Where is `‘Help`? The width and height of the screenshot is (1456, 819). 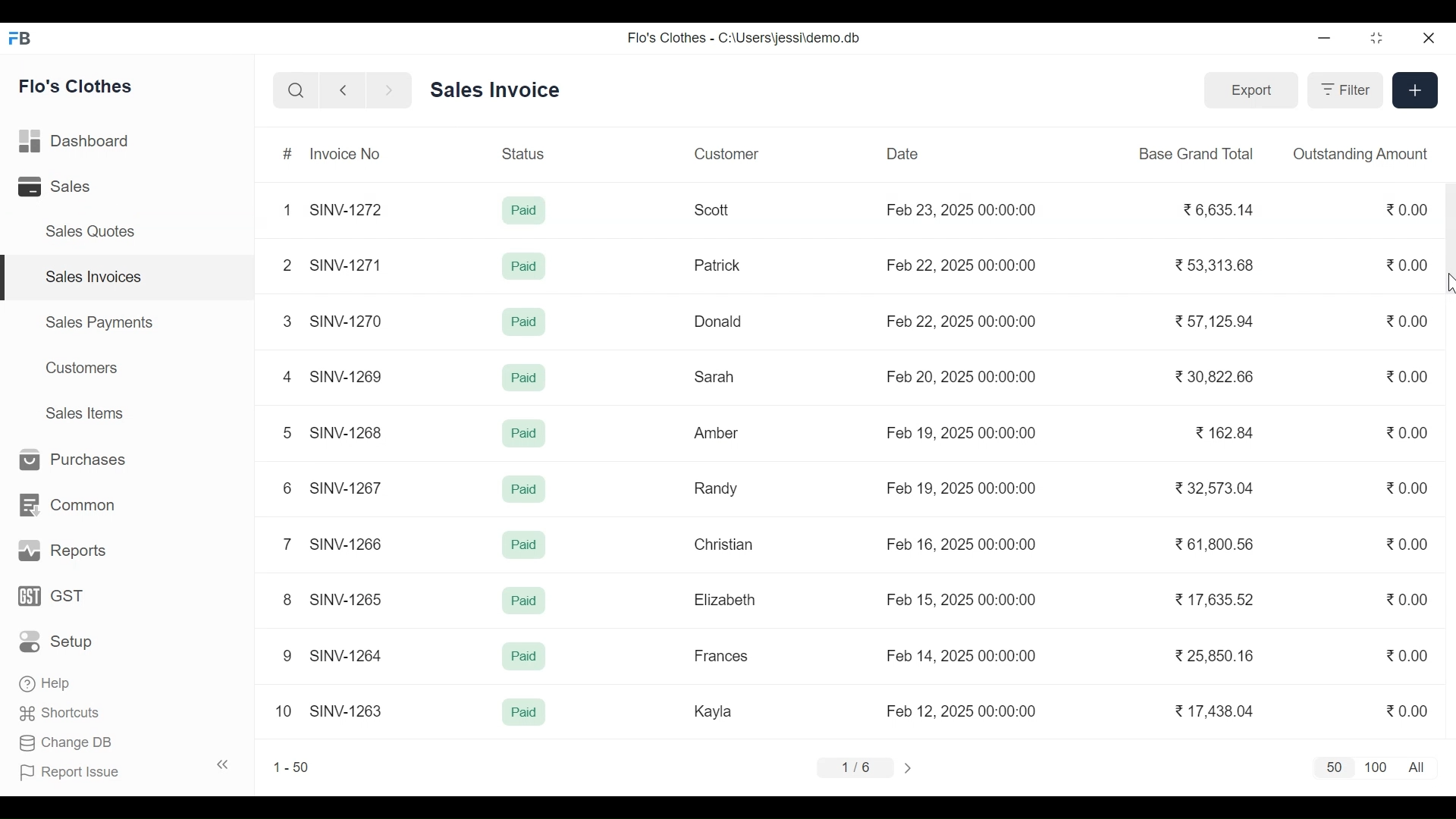
‘Help is located at coordinates (48, 683).